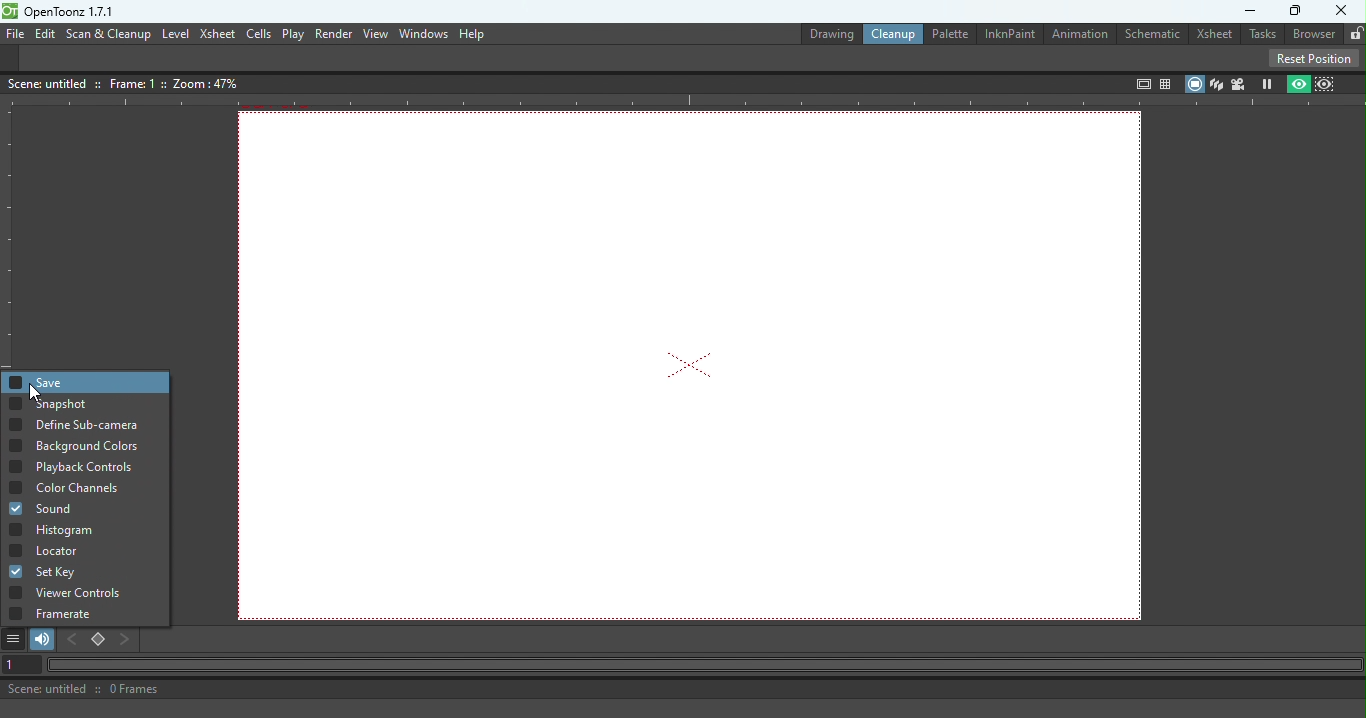  I want to click on Sound, so click(40, 508).